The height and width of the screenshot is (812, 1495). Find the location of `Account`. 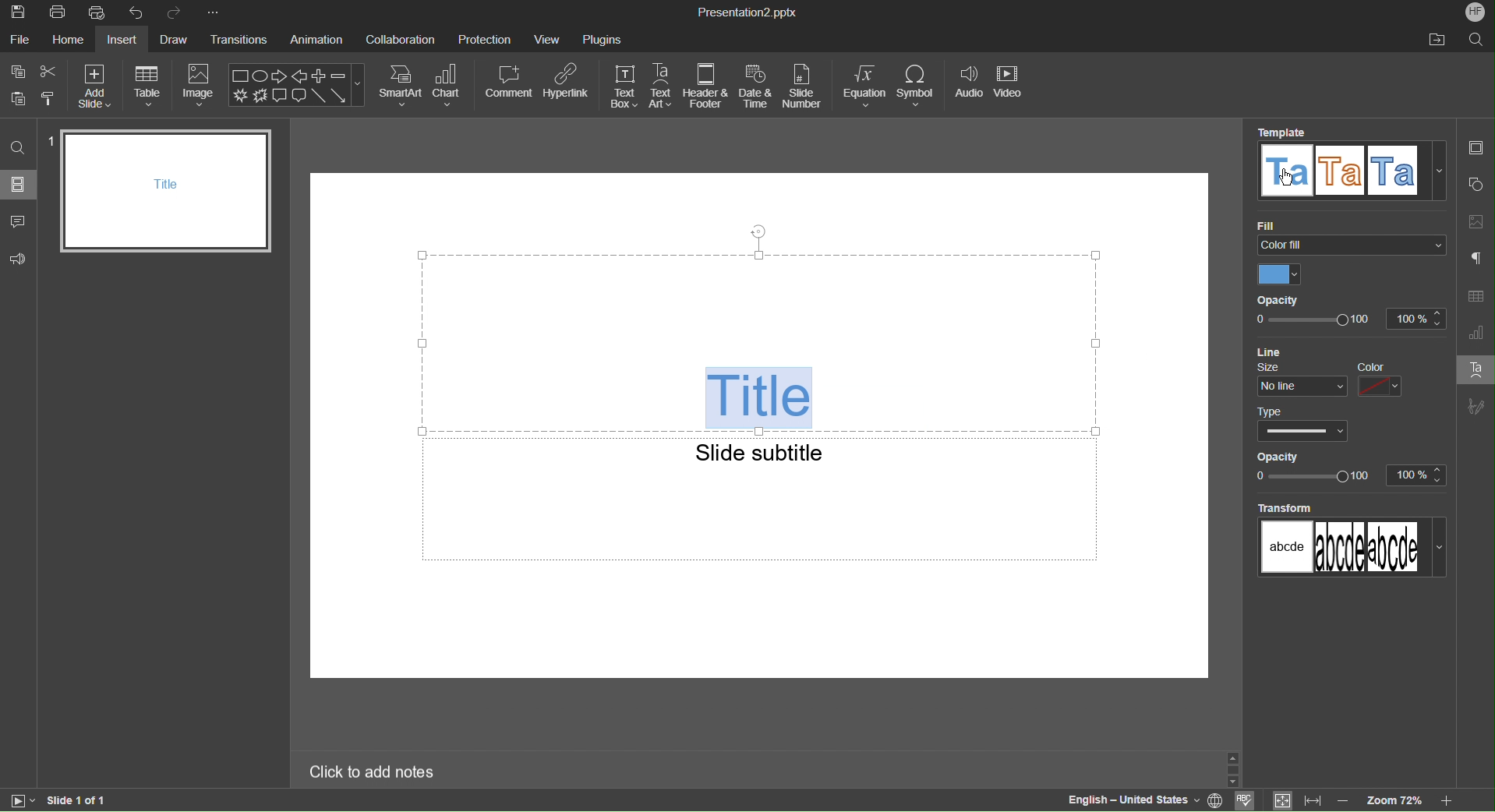

Account is located at coordinates (1476, 12).